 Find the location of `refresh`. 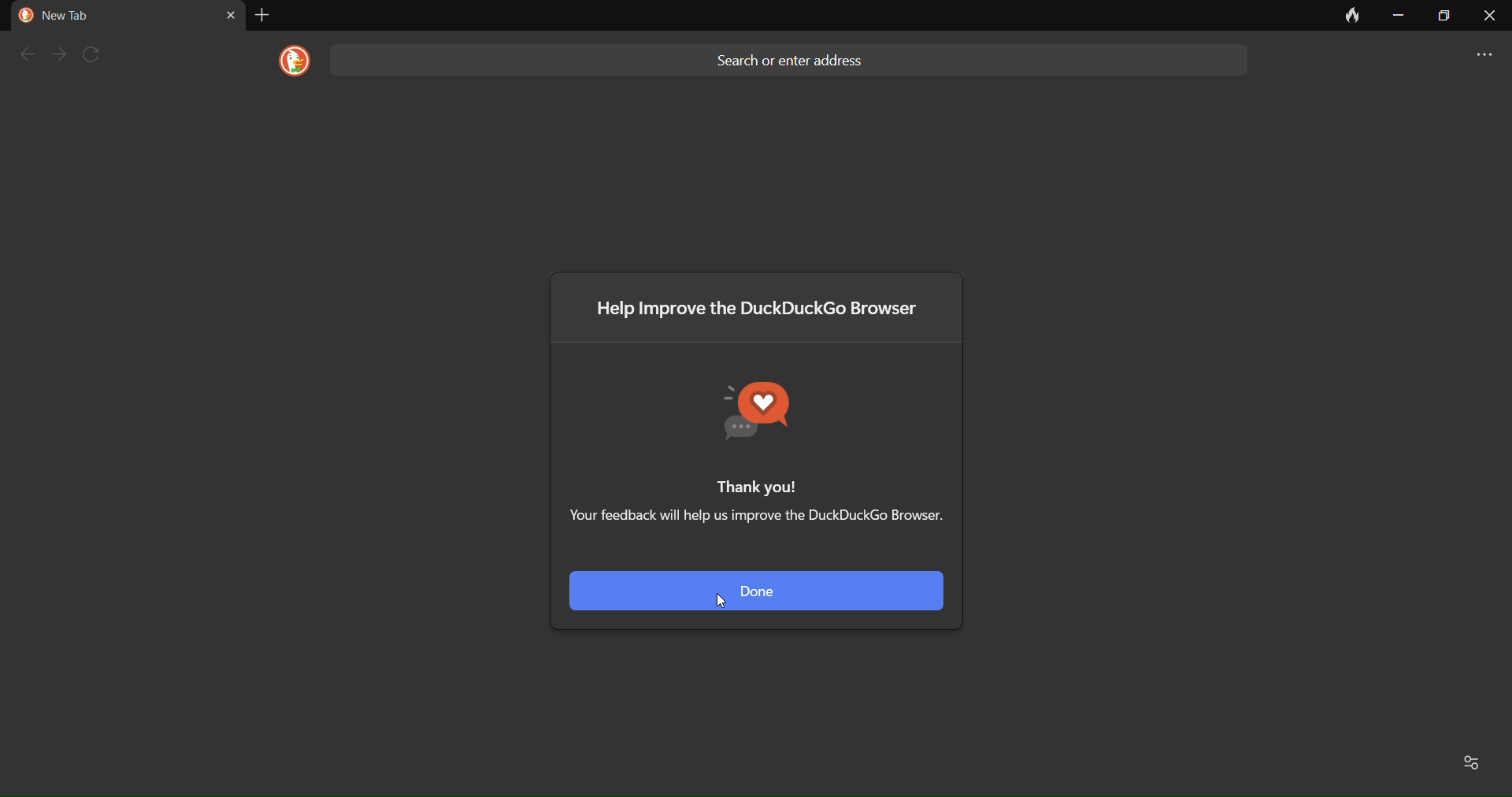

refresh is located at coordinates (98, 54).